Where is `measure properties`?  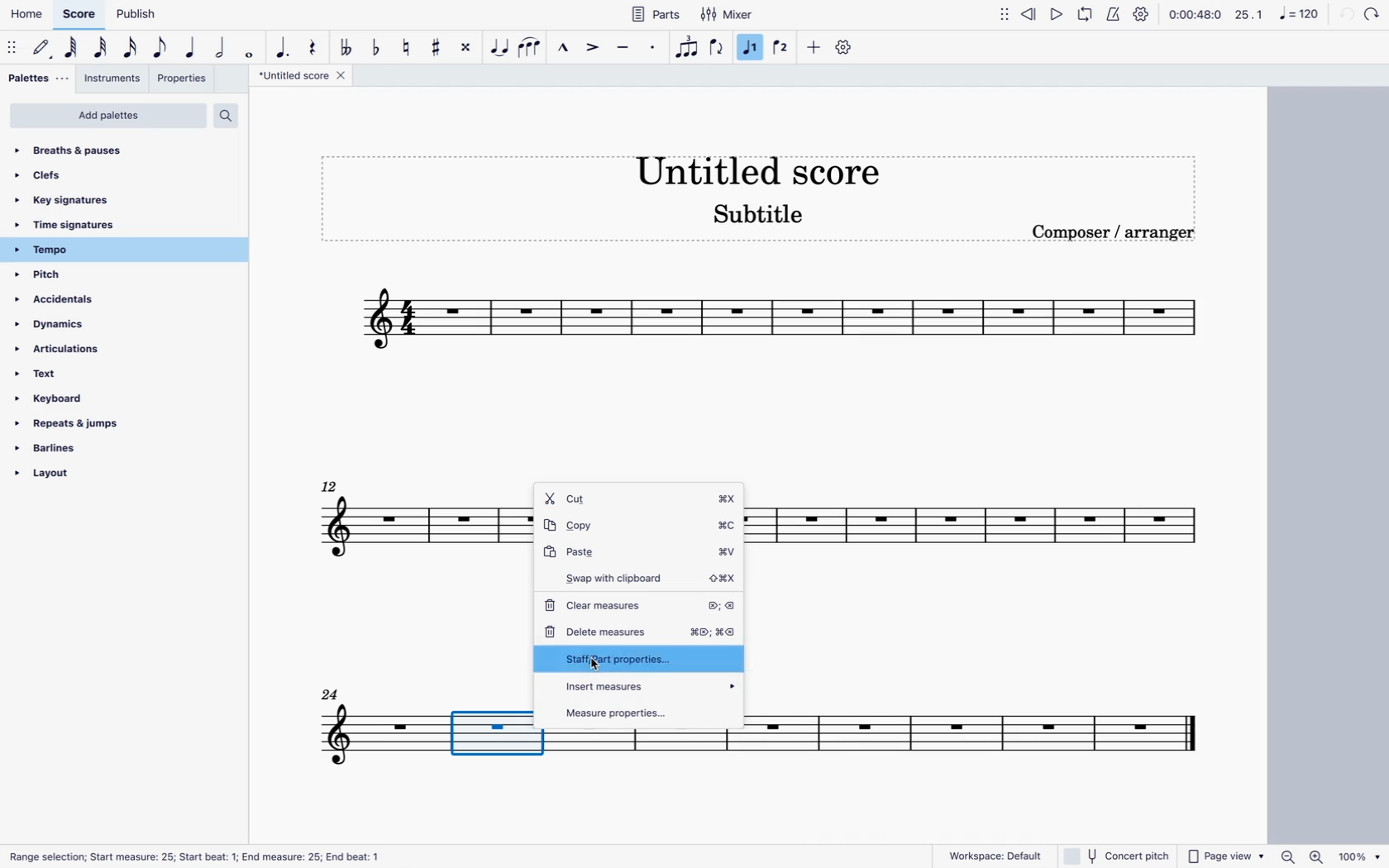
measure properties is located at coordinates (643, 713).